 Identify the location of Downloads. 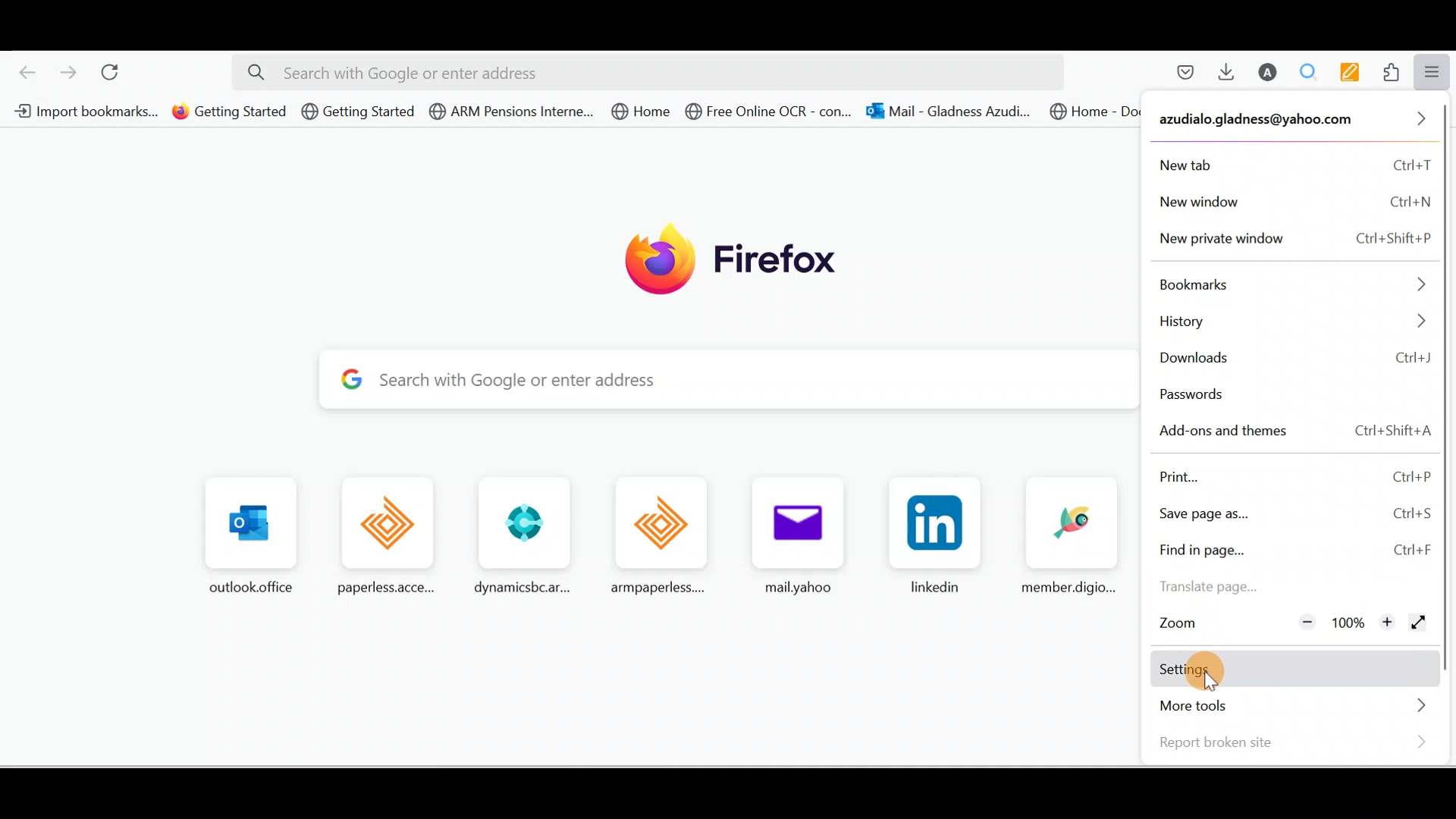
(1231, 75).